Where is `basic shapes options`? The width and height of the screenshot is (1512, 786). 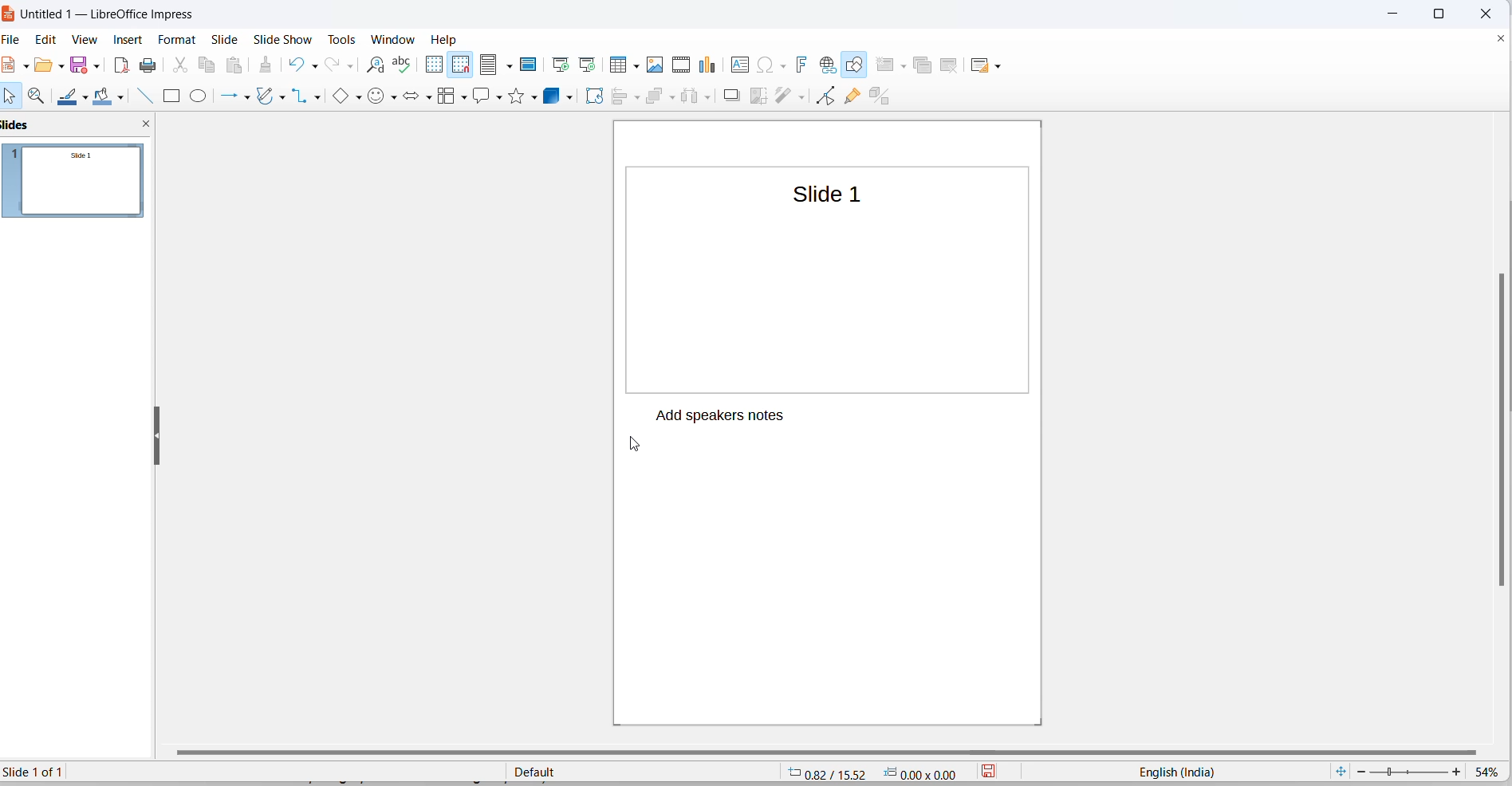
basic shapes options is located at coordinates (359, 97).